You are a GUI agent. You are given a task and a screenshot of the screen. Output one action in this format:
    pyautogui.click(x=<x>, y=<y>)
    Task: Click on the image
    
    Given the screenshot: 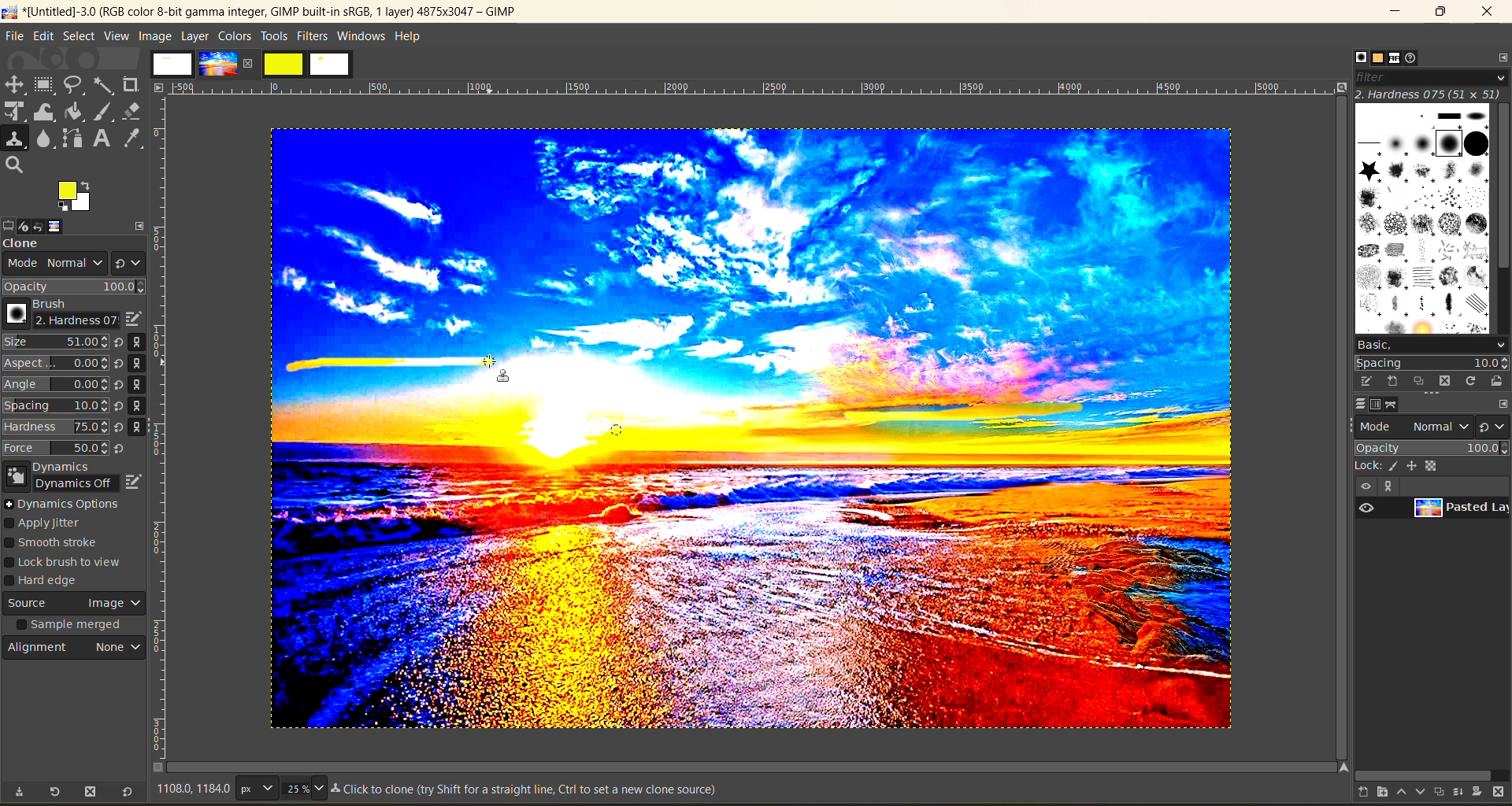 What is the action you would take?
    pyautogui.click(x=904, y=429)
    